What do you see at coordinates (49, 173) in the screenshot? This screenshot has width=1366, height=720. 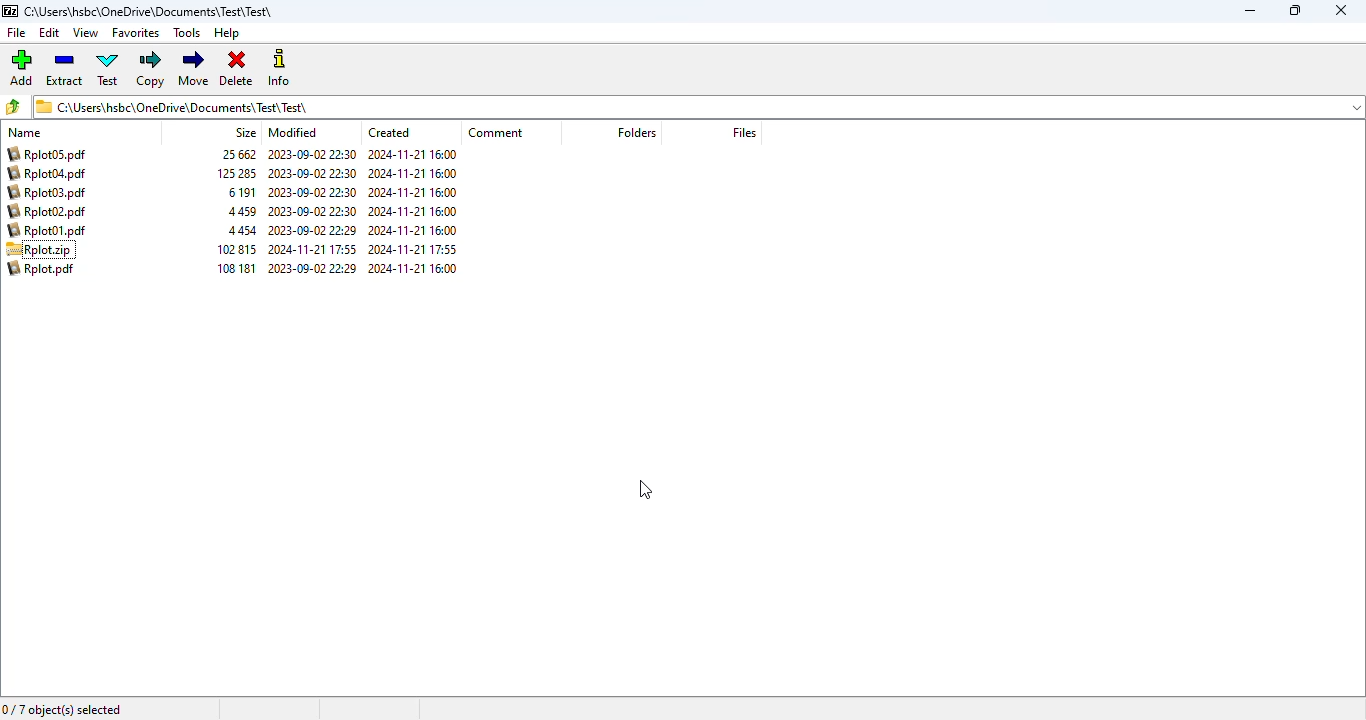 I see `Rplot04.pdf` at bounding box center [49, 173].